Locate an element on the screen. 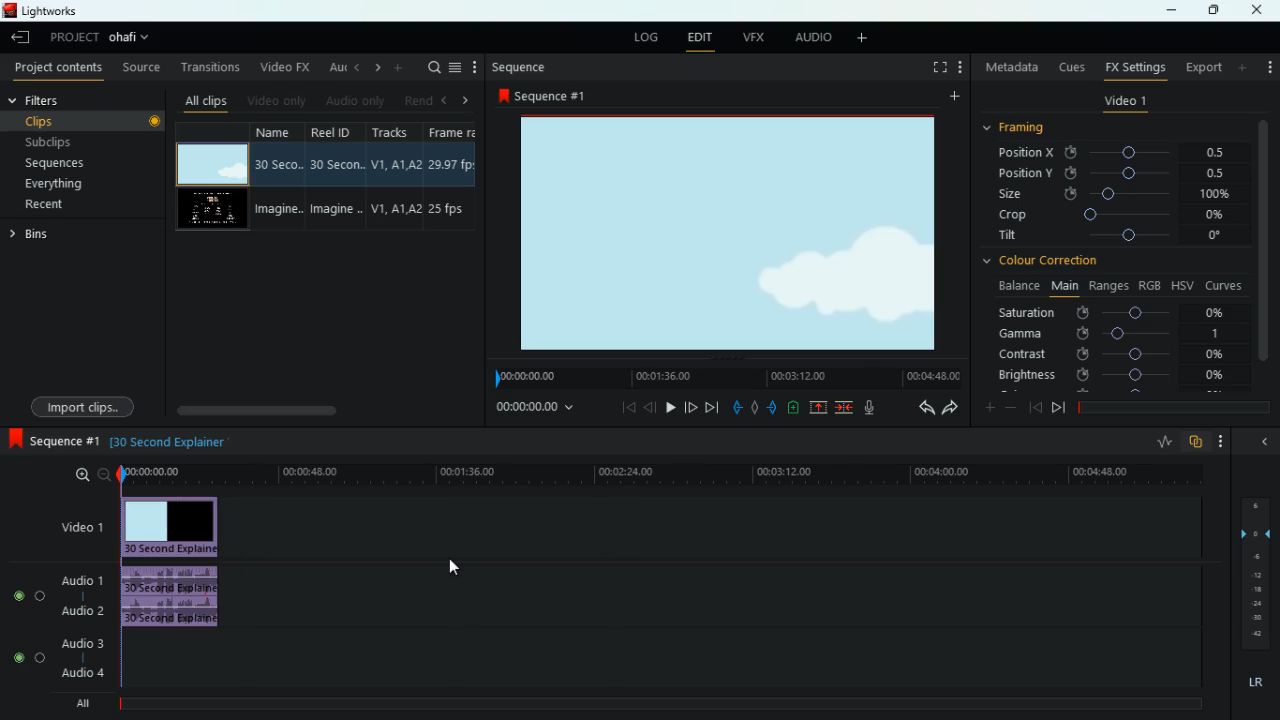 The height and width of the screenshot is (720, 1280). 0 (layer) is located at coordinates (1252, 531).